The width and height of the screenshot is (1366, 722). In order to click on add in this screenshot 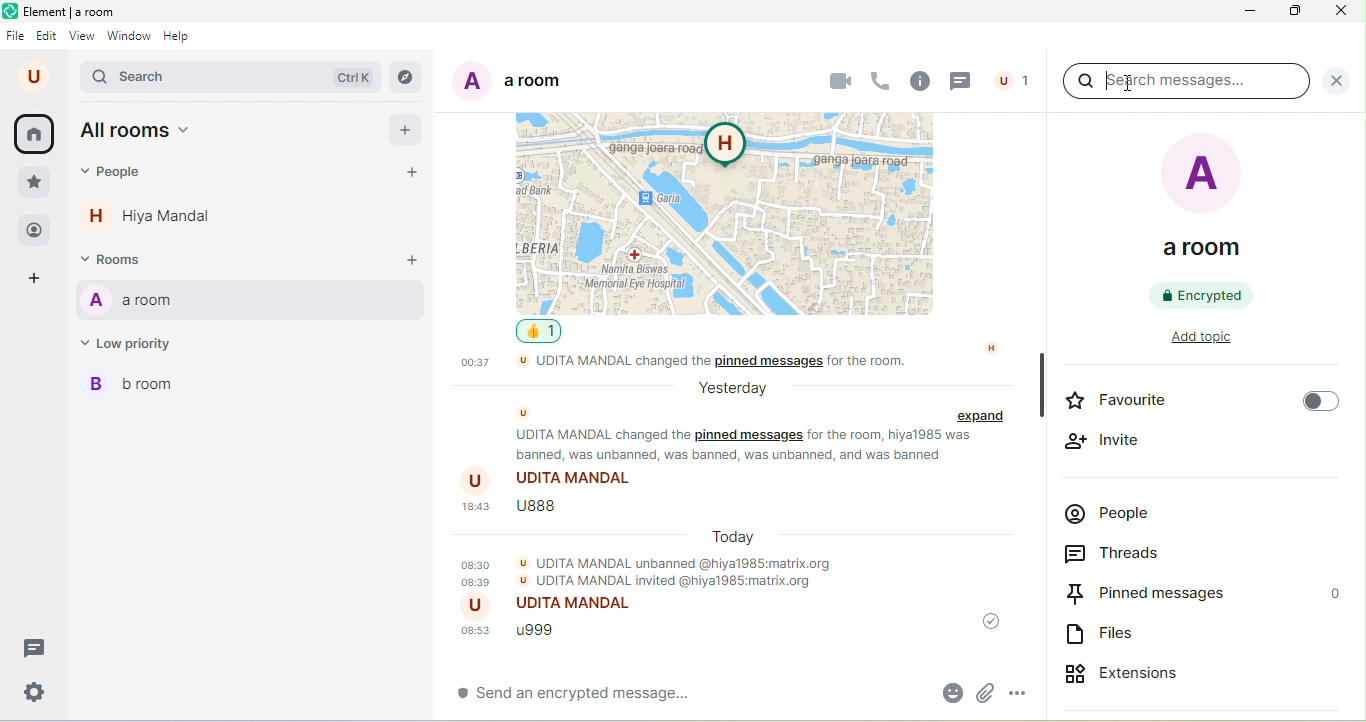, I will do `click(406, 132)`.